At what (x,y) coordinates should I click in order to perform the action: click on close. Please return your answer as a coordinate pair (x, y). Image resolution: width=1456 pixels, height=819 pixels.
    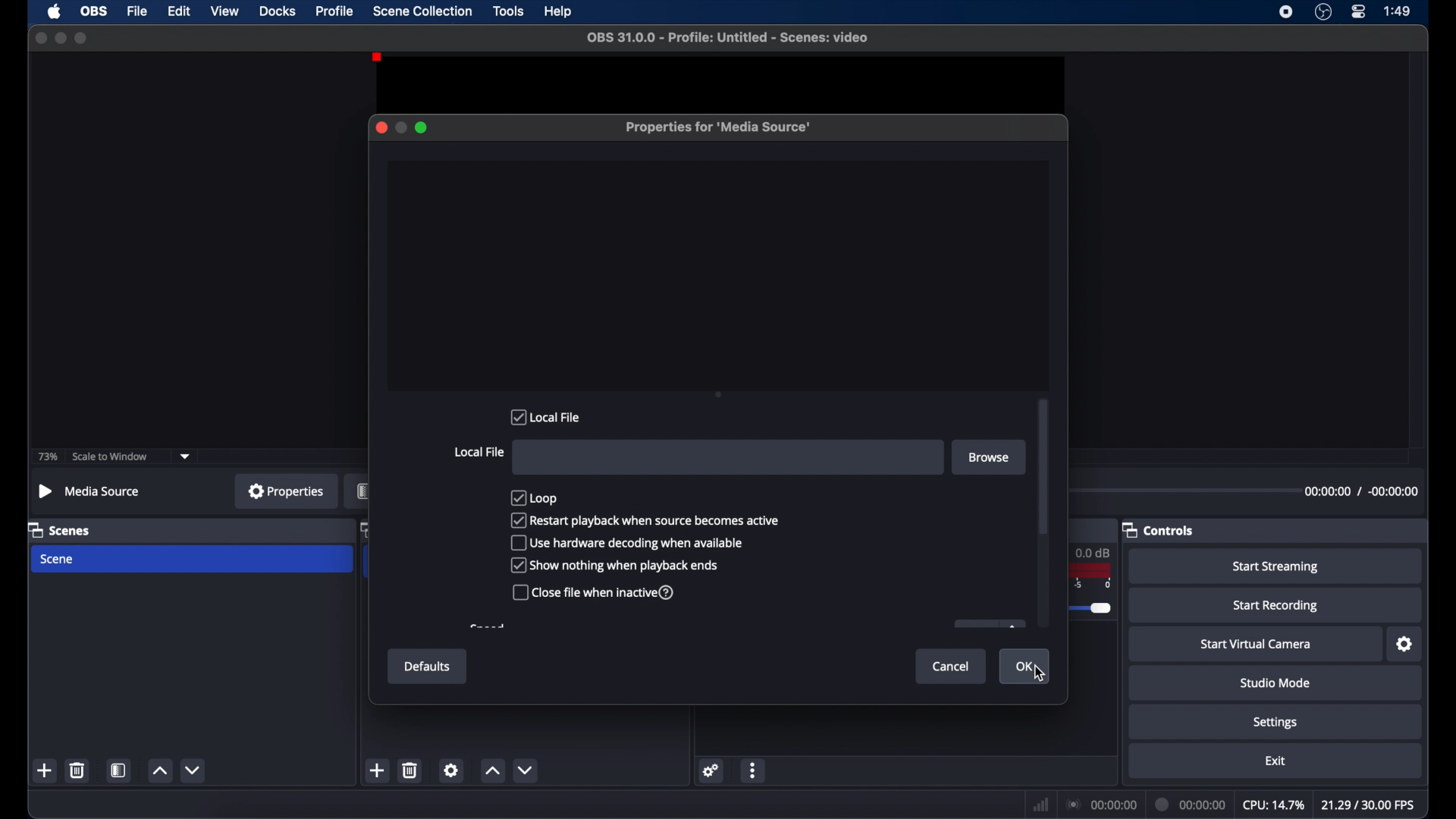
    Looking at the image, I should click on (40, 38).